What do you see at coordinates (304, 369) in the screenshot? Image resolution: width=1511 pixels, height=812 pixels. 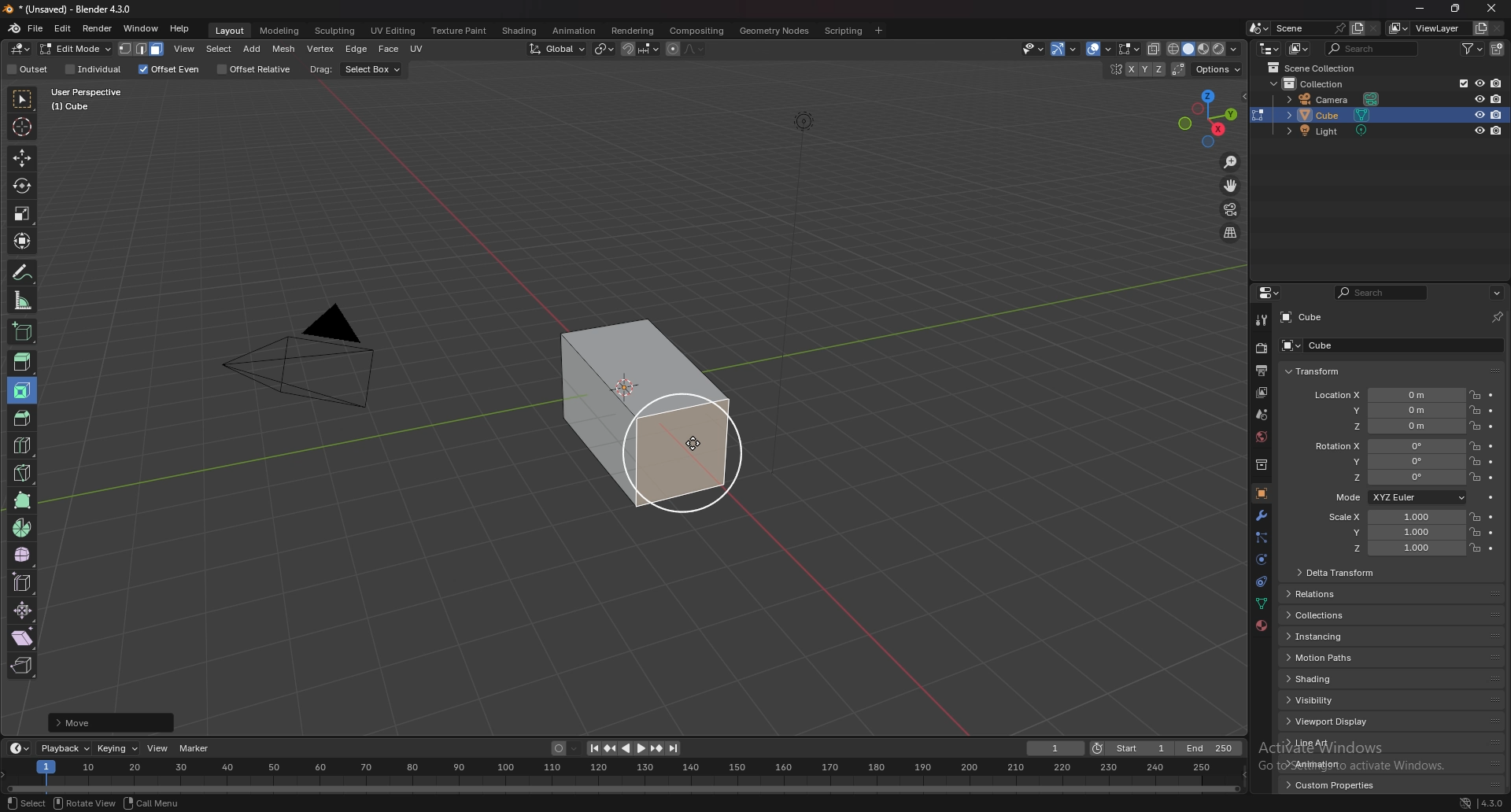 I see `pyramid` at bounding box center [304, 369].